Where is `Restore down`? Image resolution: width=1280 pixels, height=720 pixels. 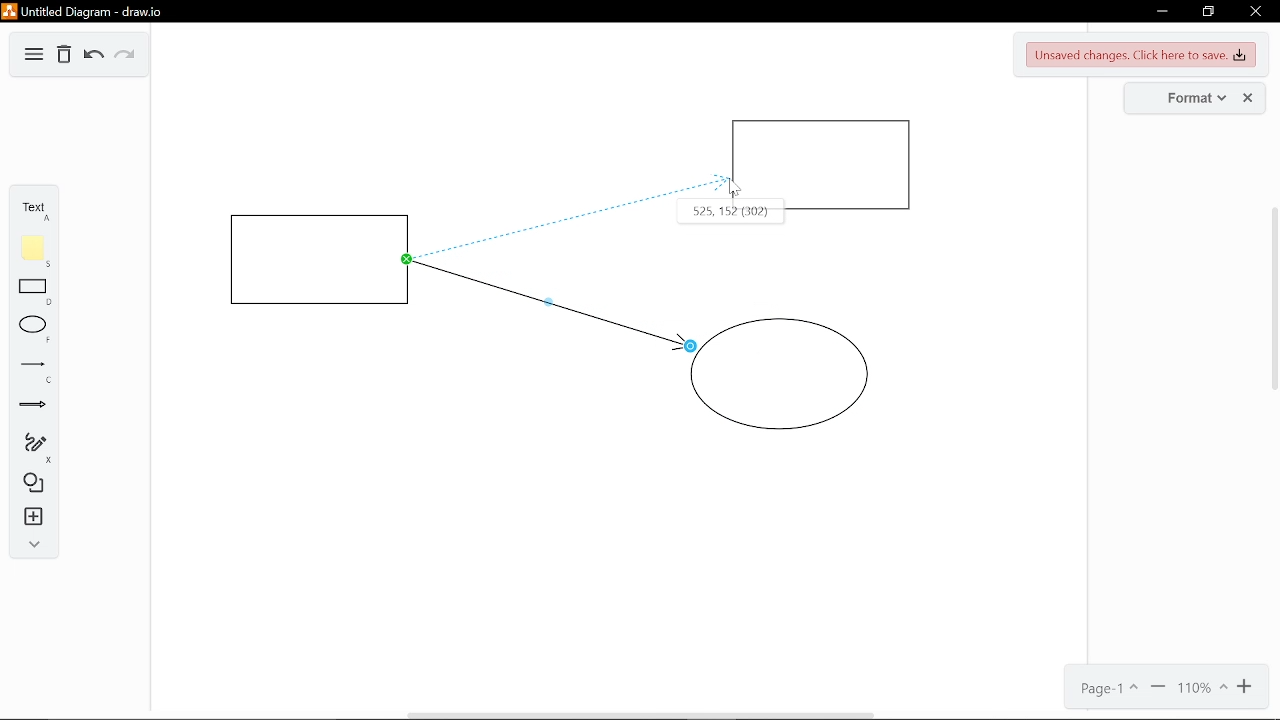
Restore down is located at coordinates (1206, 12).